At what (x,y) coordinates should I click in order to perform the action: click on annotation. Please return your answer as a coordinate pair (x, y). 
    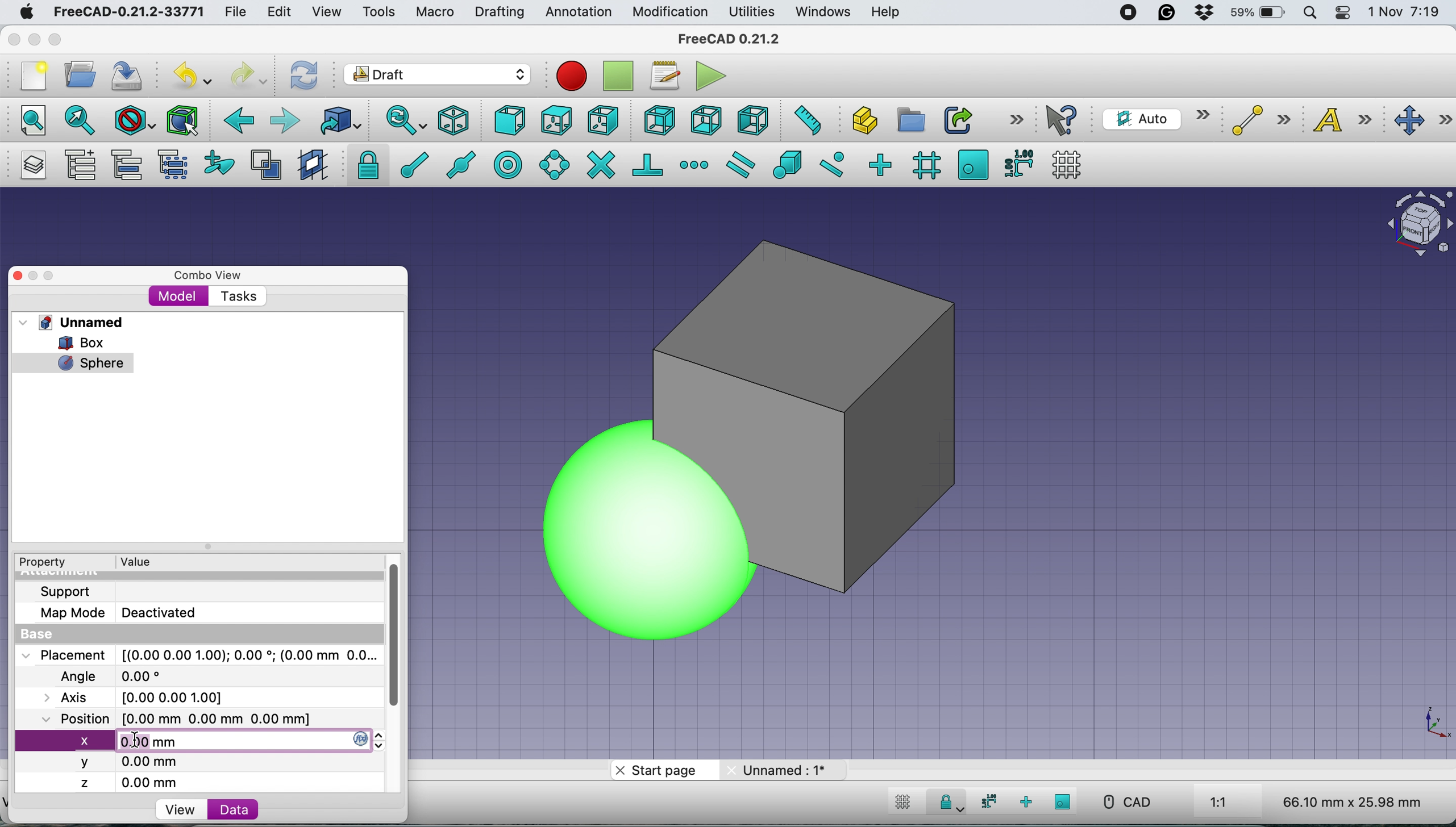
    Looking at the image, I should click on (576, 12).